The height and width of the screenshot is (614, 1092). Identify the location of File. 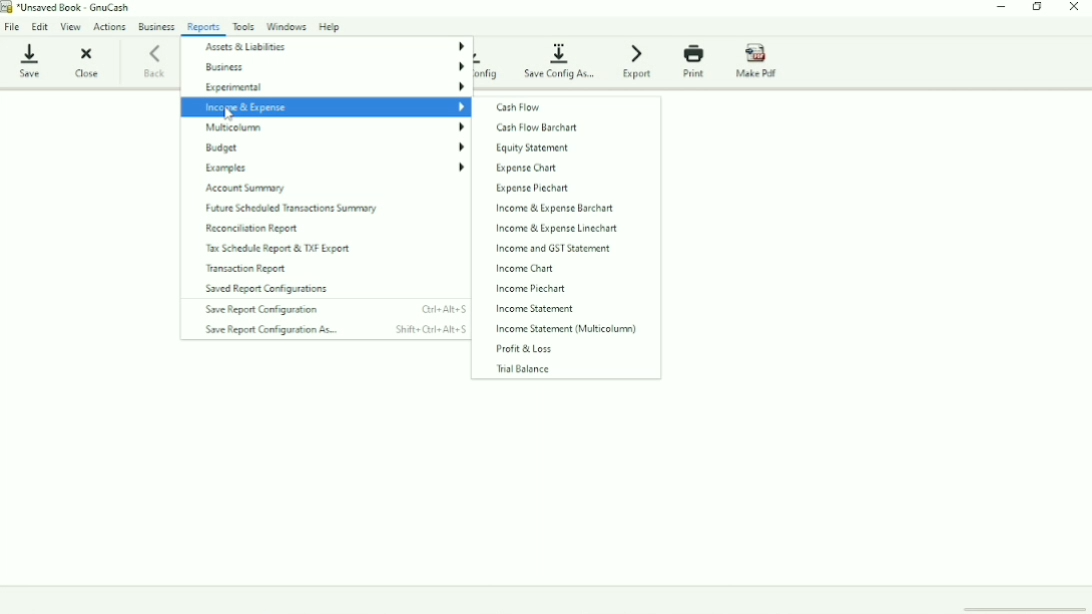
(13, 25).